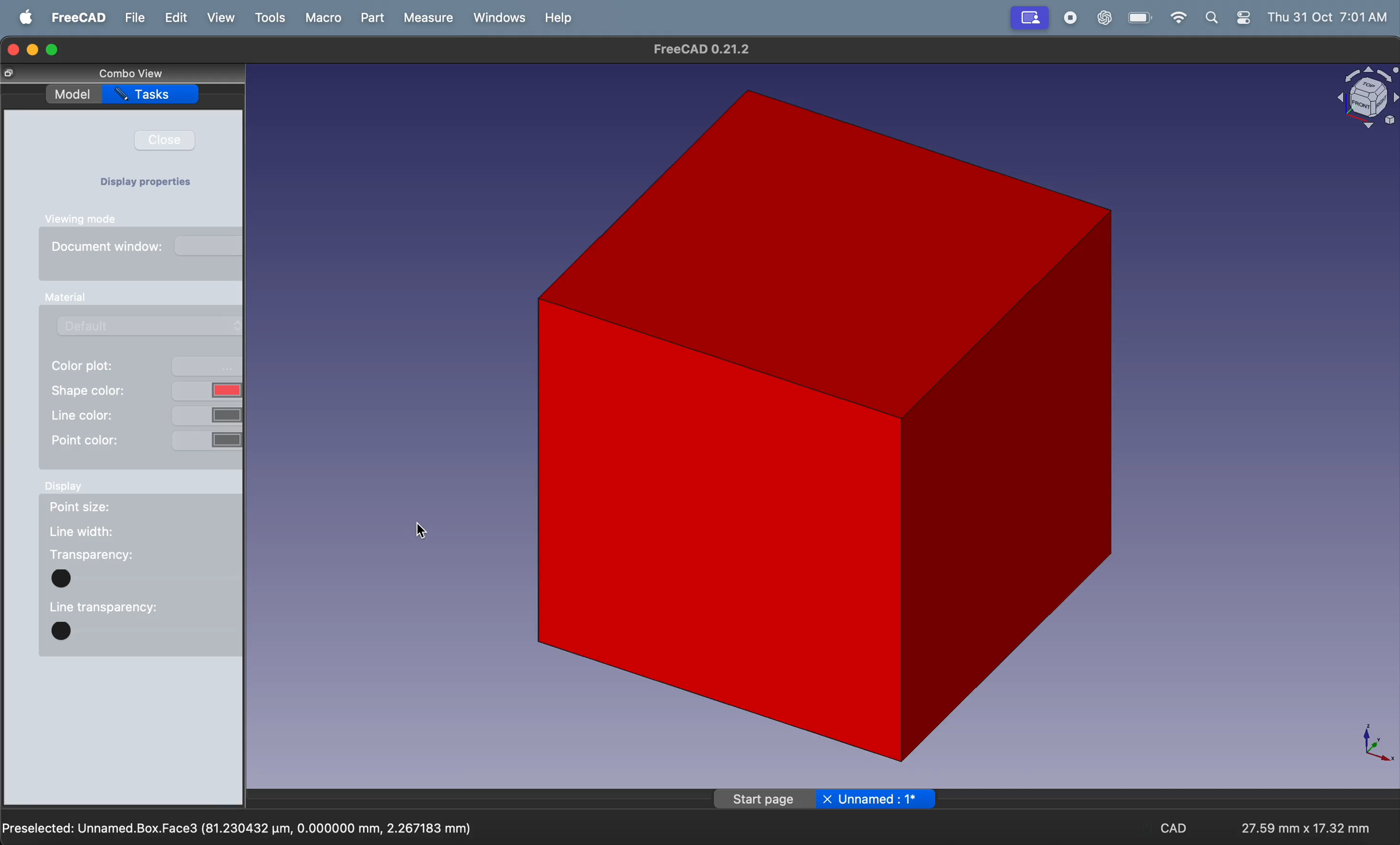 This screenshot has width=1400, height=845. I want to click on vewing mode, so click(87, 219).